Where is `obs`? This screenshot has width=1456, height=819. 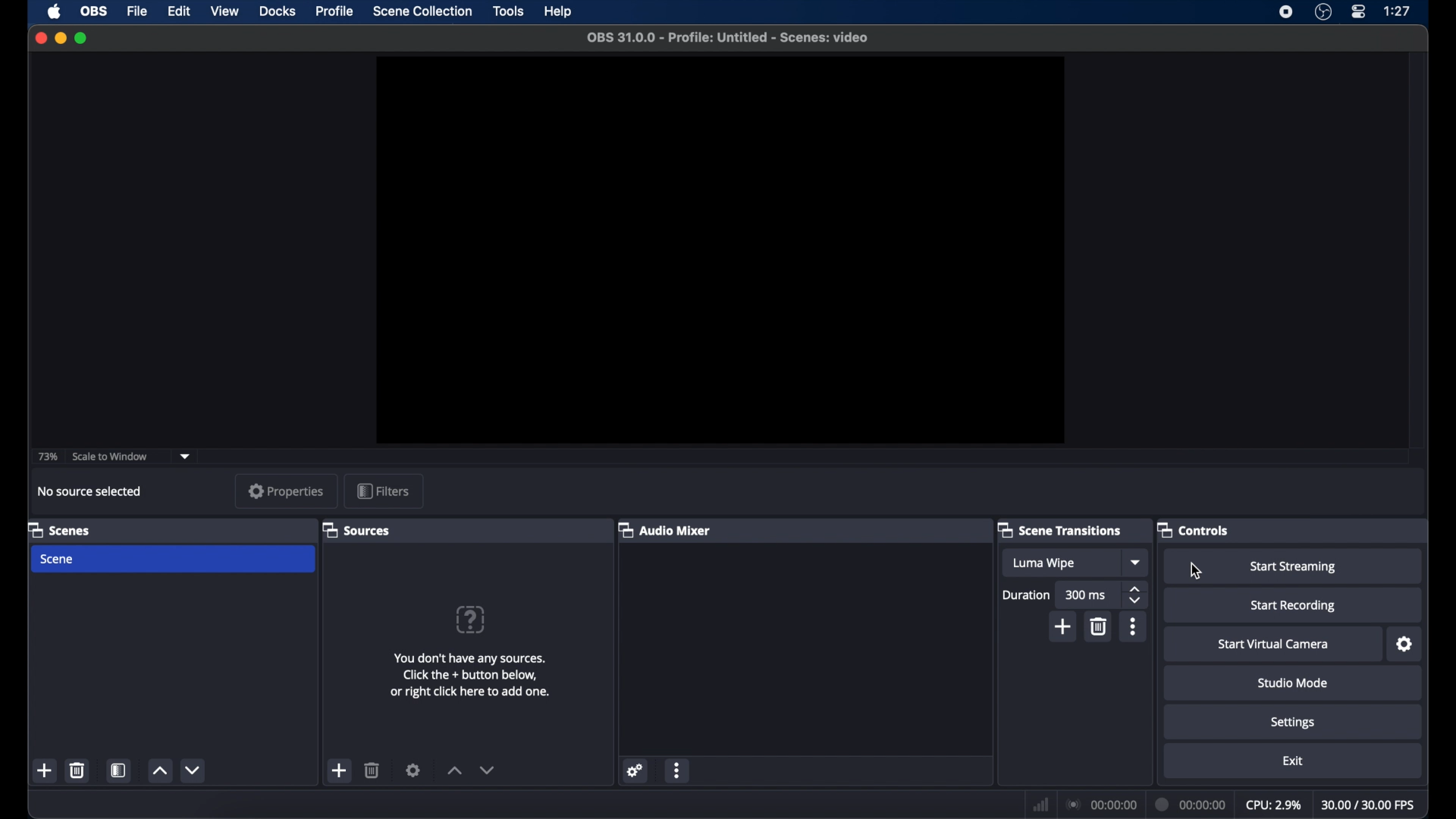
obs is located at coordinates (94, 12).